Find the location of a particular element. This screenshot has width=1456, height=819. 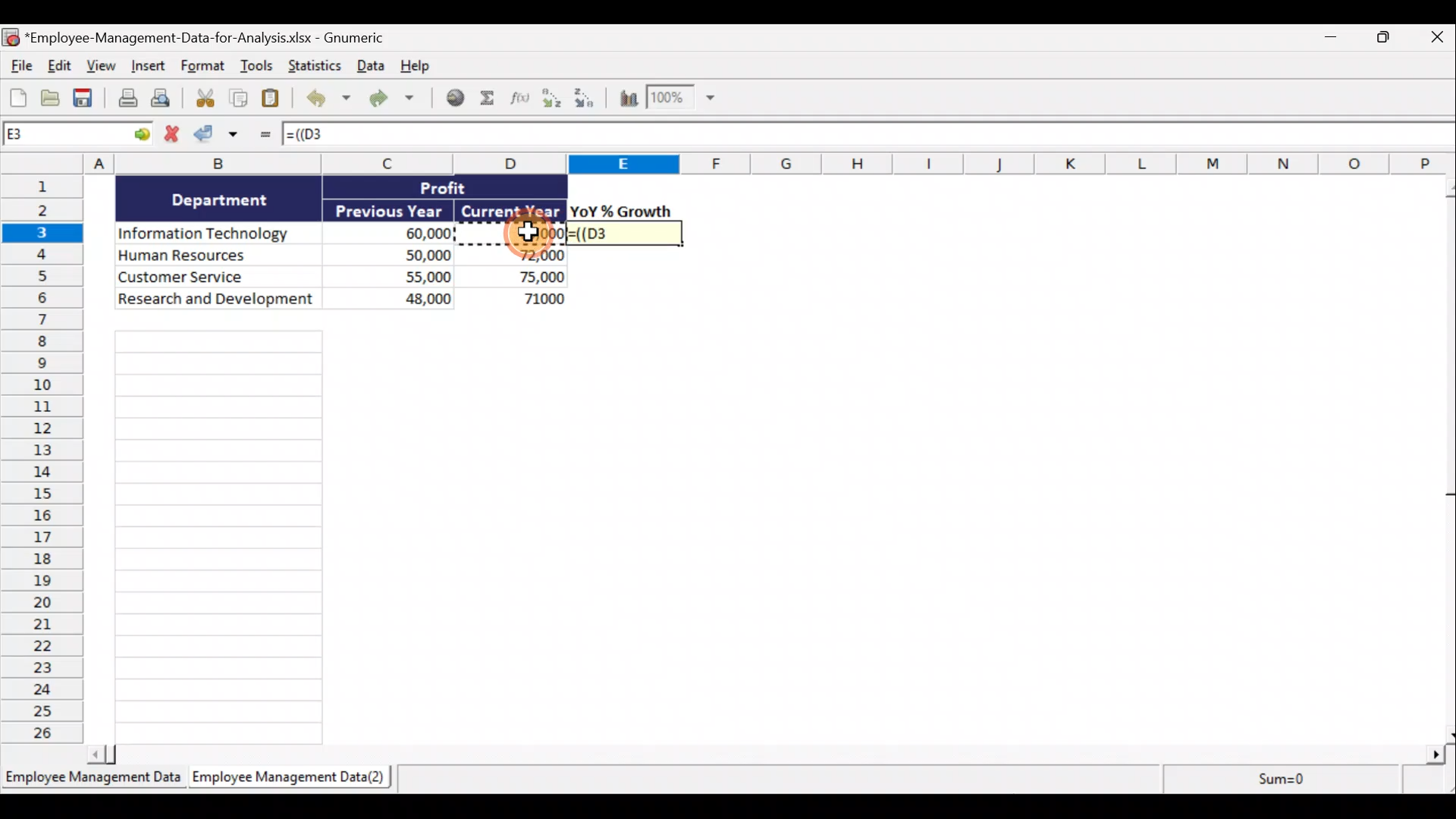

Scroll bar is located at coordinates (1447, 460).